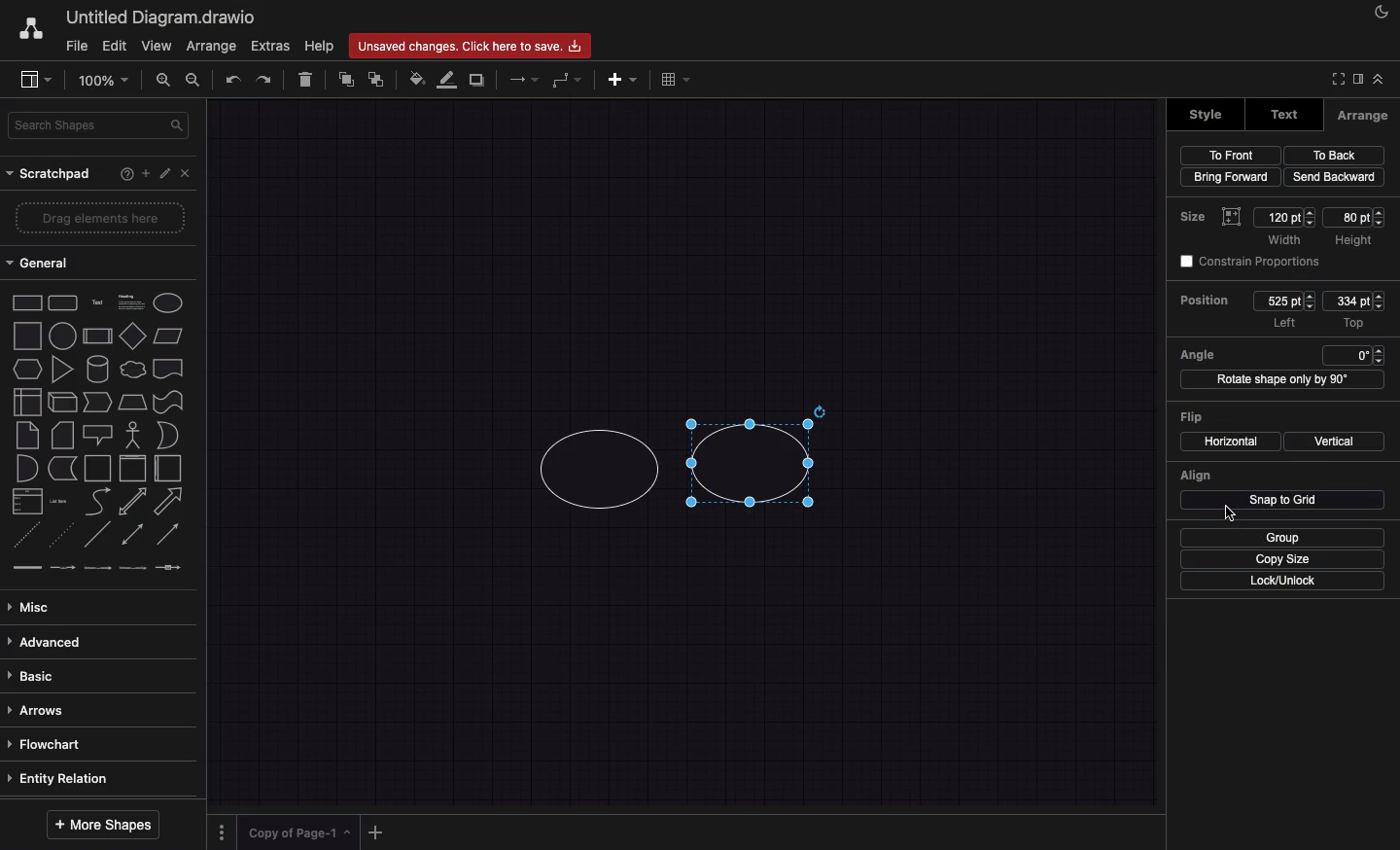 The width and height of the screenshot is (1400, 850). Describe the element at coordinates (167, 566) in the screenshot. I see `connector with symbol ` at that location.